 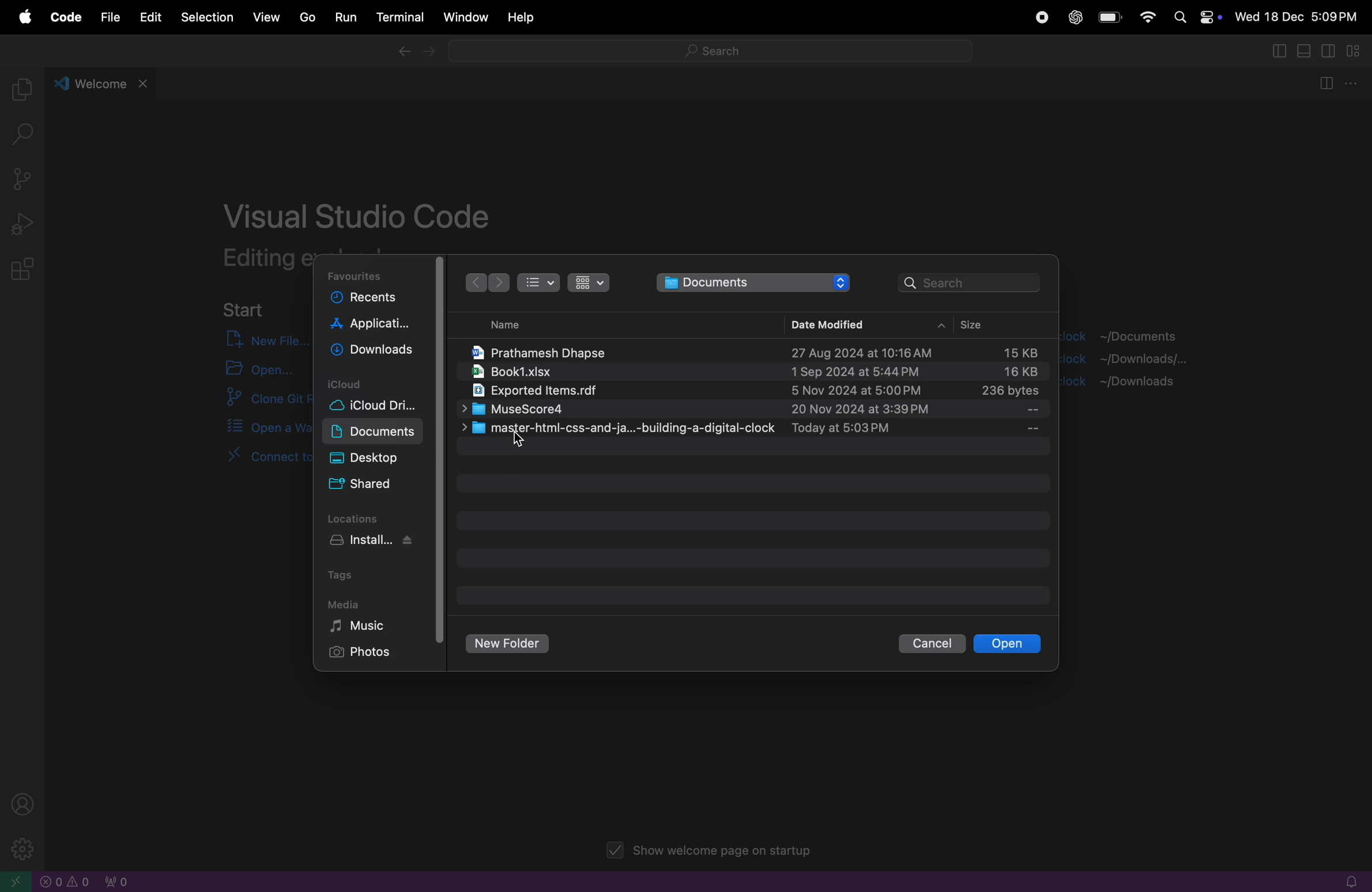 What do you see at coordinates (753, 410) in the screenshot?
I see `file` at bounding box center [753, 410].